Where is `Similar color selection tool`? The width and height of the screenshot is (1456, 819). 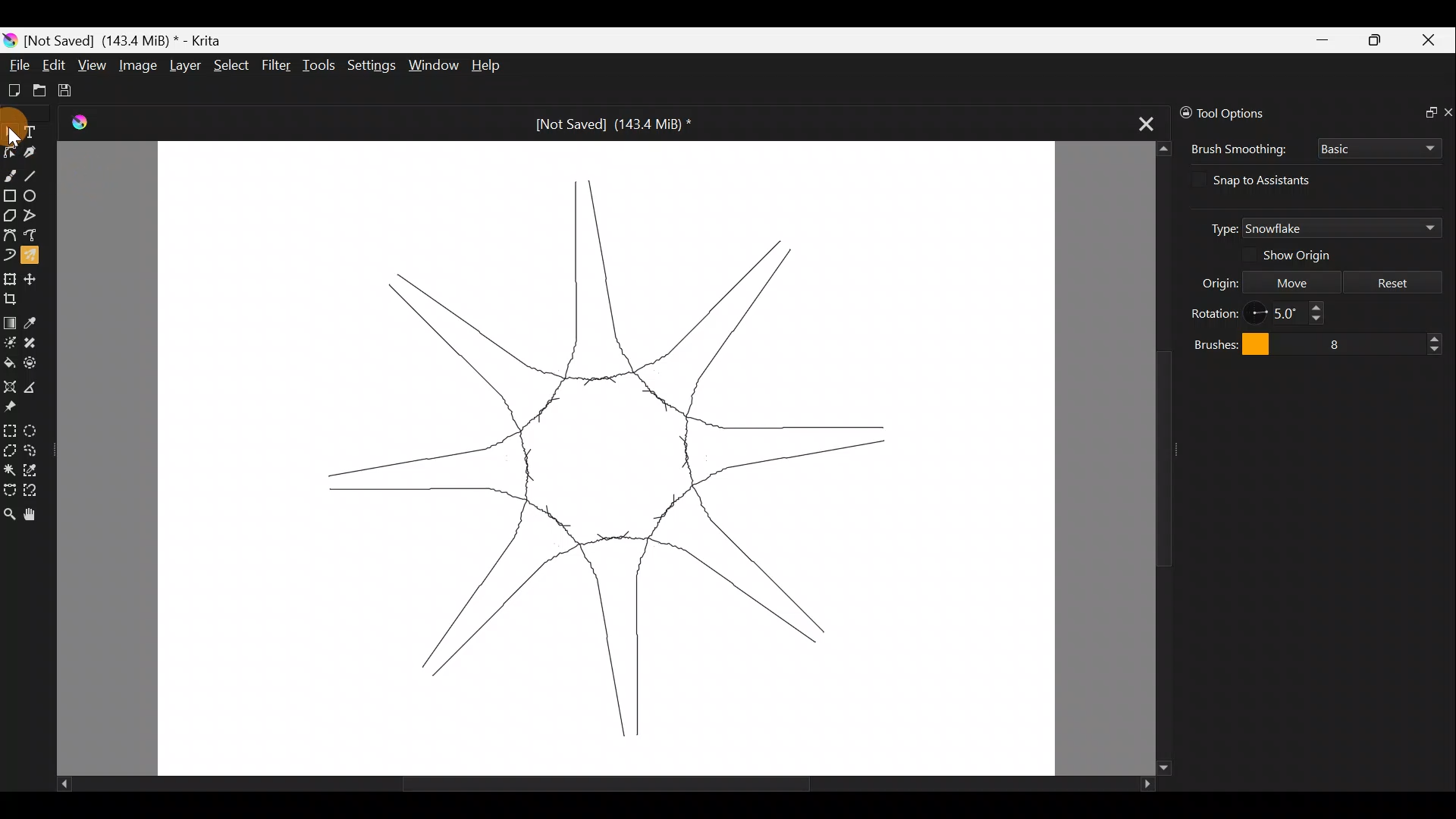
Similar color selection tool is located at coordinates (33, 469).